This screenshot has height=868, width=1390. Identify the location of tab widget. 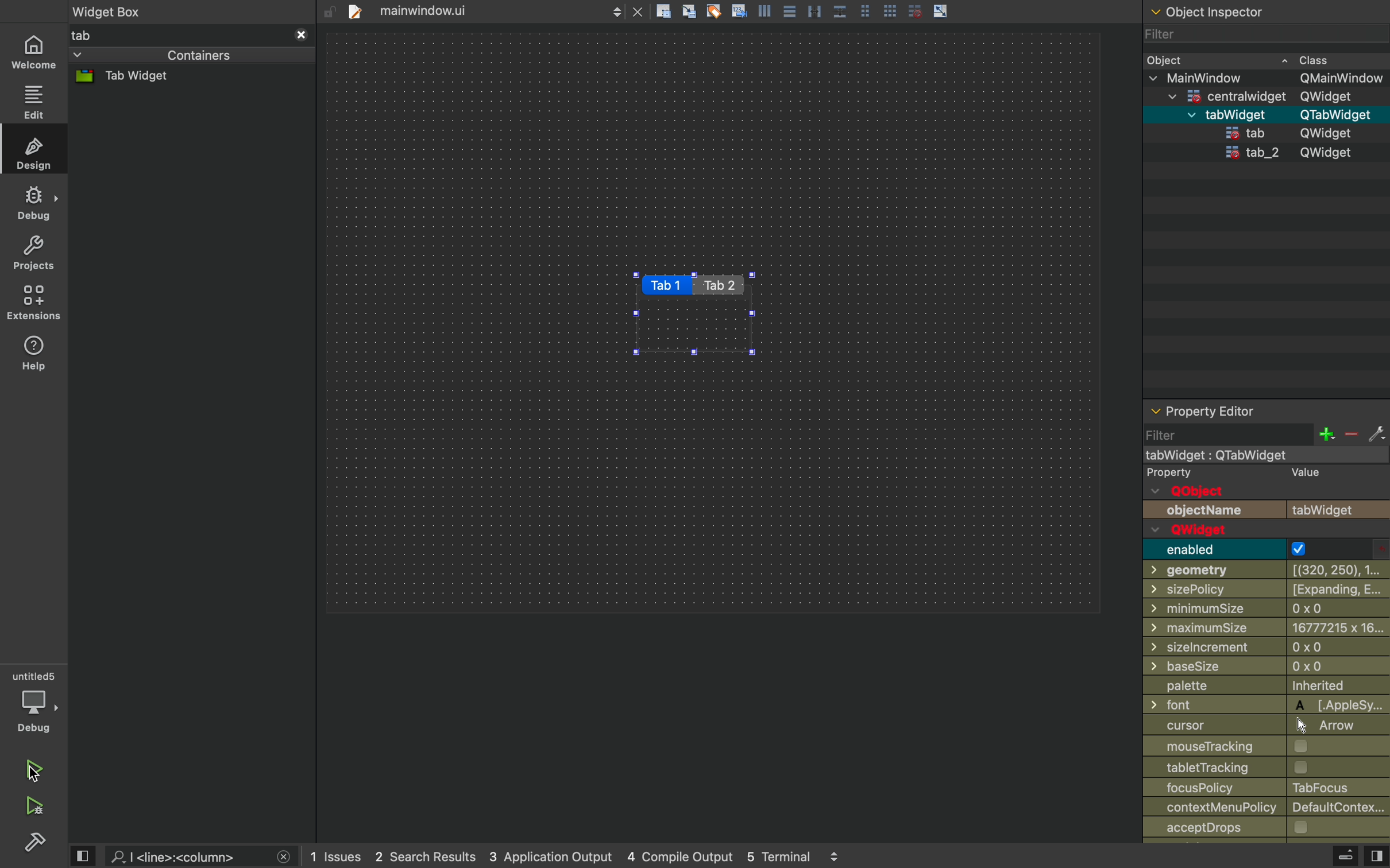
(143, 77).